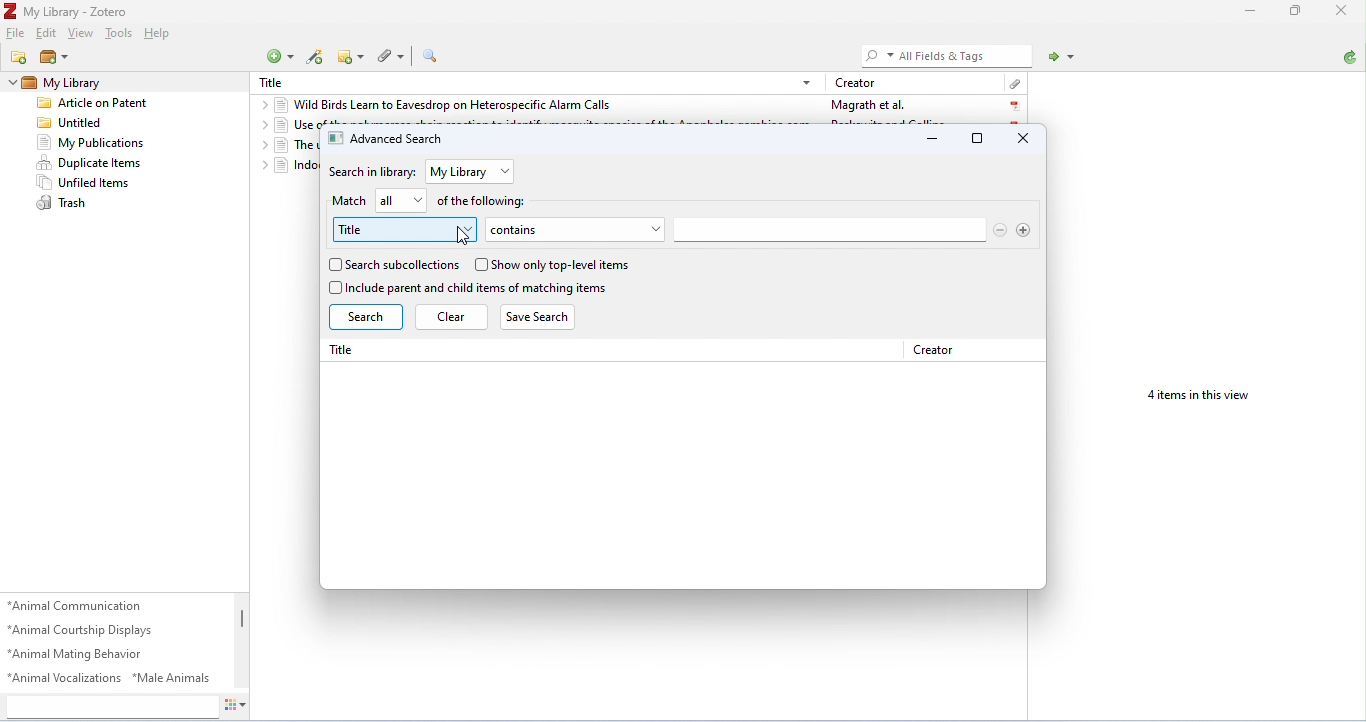 The width and height of the screenshot is (1366, 722). I want to click on clear, so click(452, 316).